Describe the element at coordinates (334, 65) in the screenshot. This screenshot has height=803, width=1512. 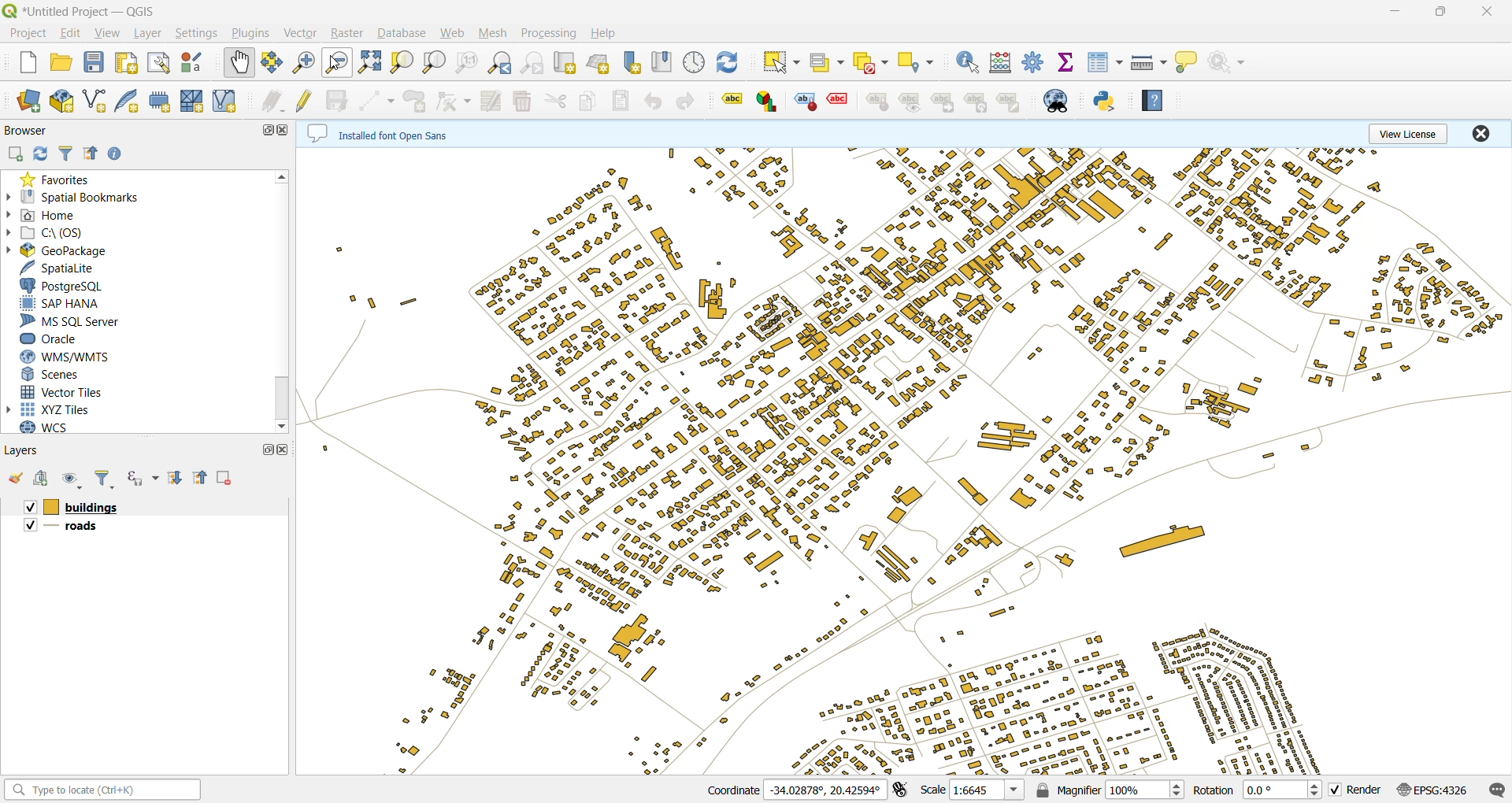
I see `cursor` at that location.